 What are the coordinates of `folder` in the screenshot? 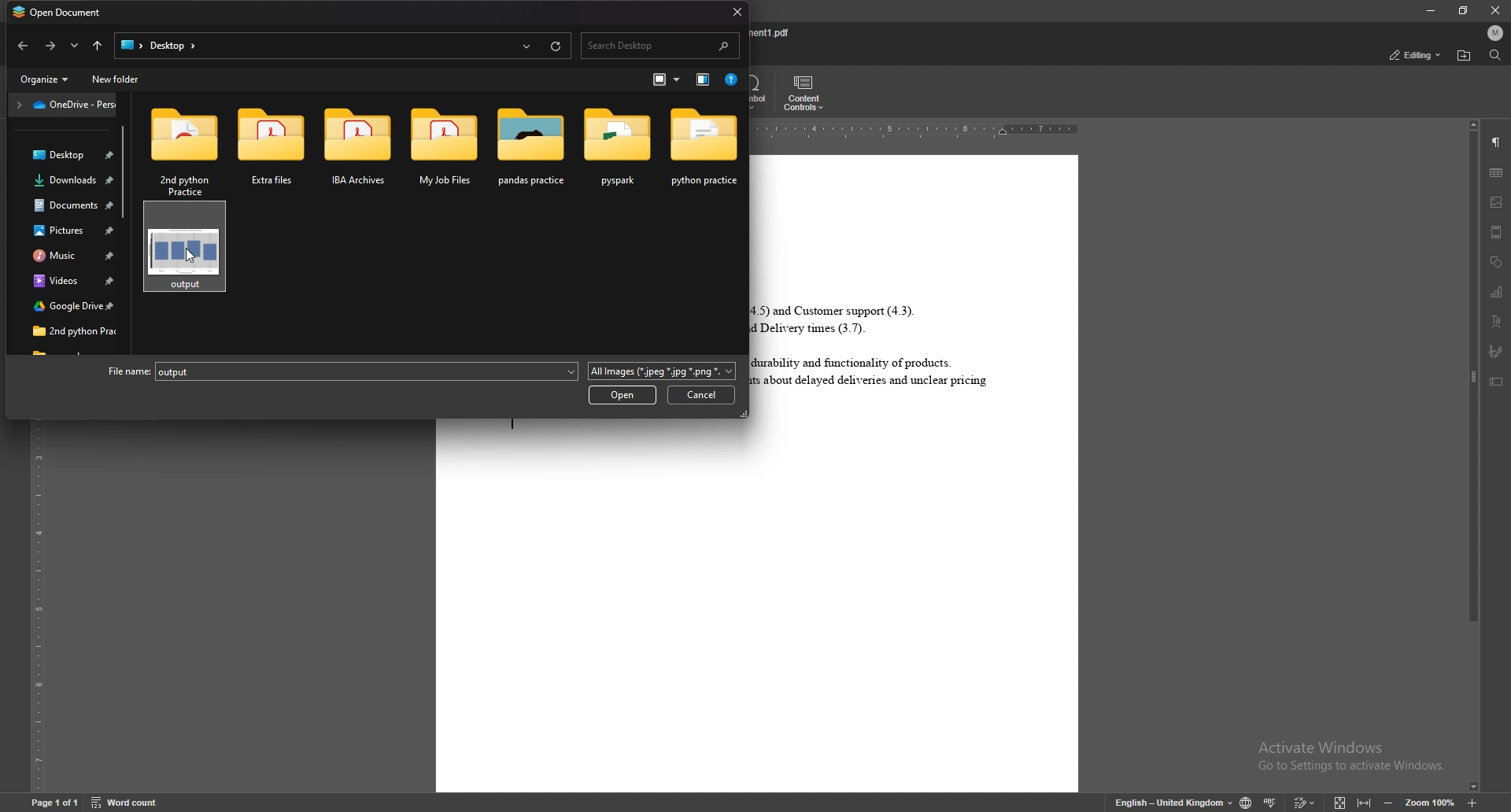 It's located at (63, 306).